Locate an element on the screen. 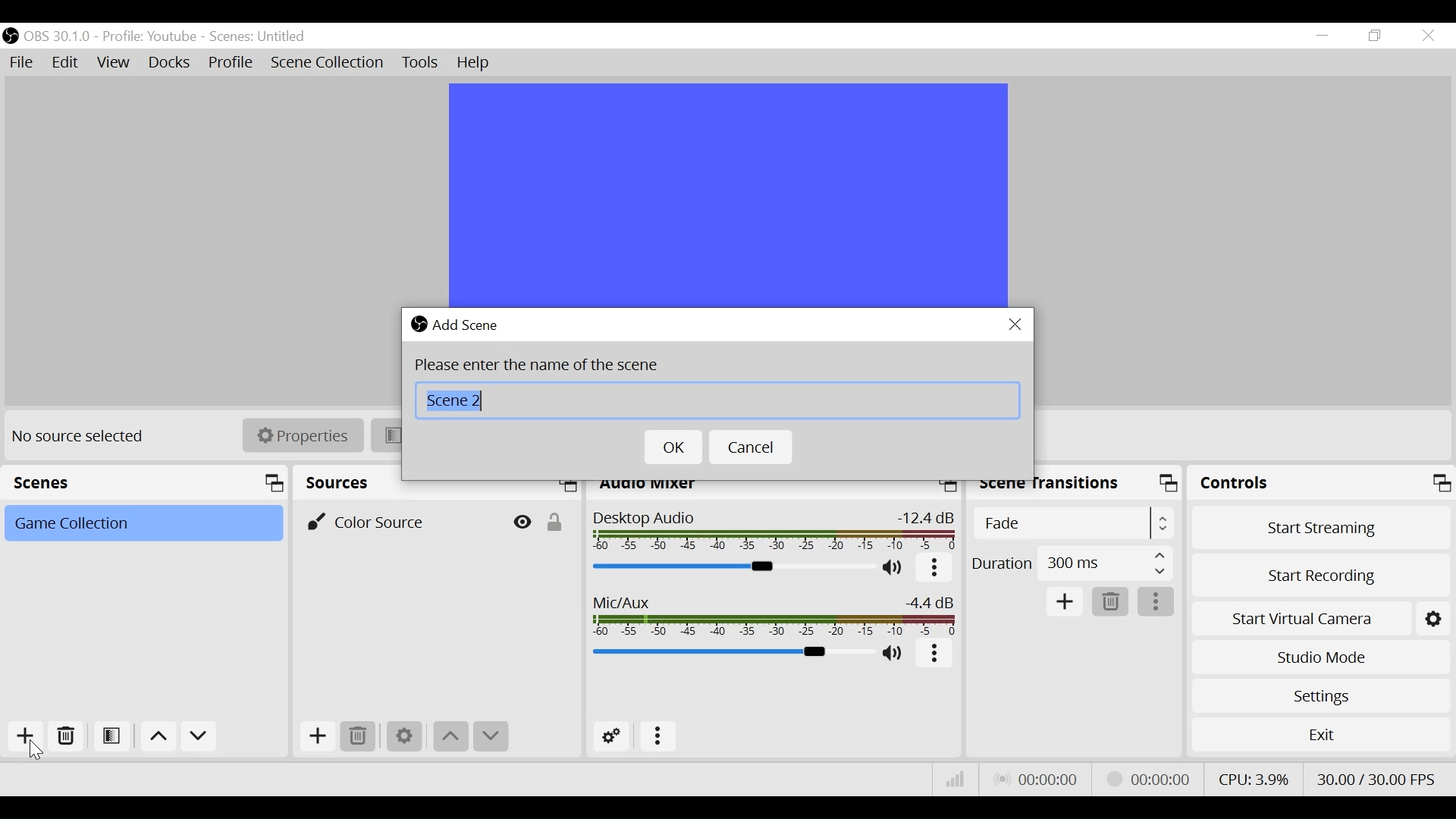 The image size is (1456, 819). Delete is located at coordinates (67, 736).